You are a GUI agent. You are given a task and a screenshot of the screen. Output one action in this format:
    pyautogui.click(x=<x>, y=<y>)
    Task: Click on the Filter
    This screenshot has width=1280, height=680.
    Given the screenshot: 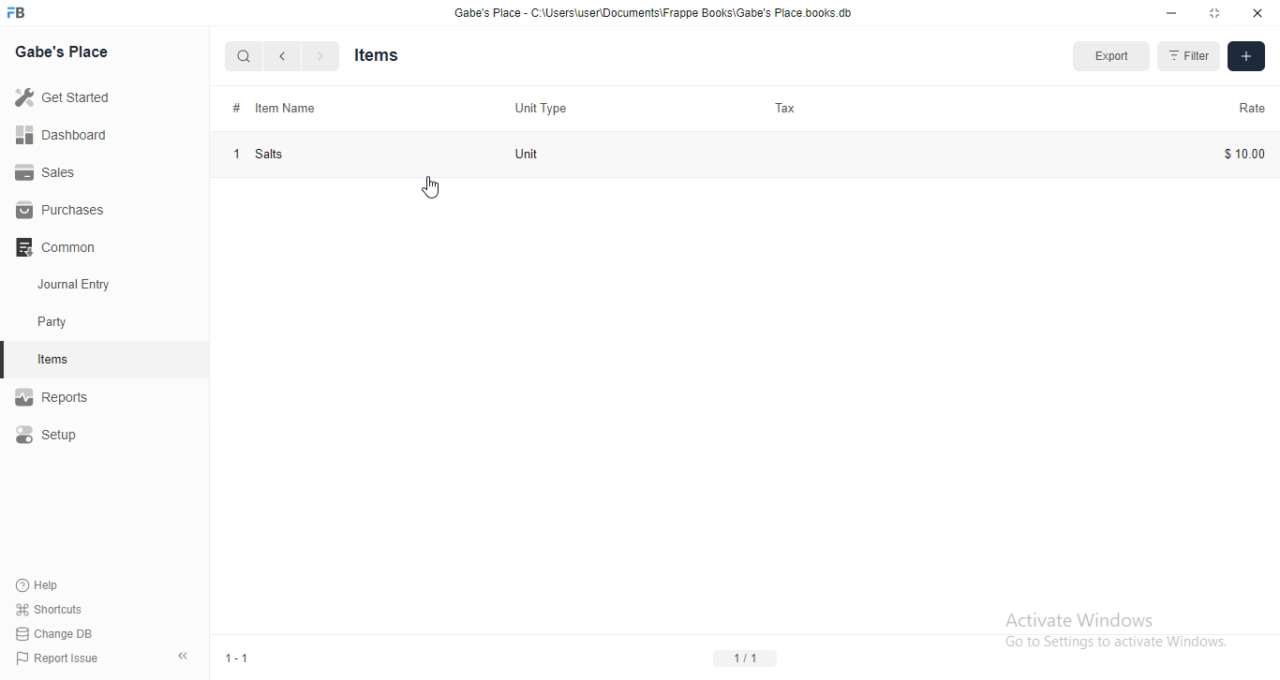 What is the action you would take?
    pyautogui.click(x=1189, y=54)
    